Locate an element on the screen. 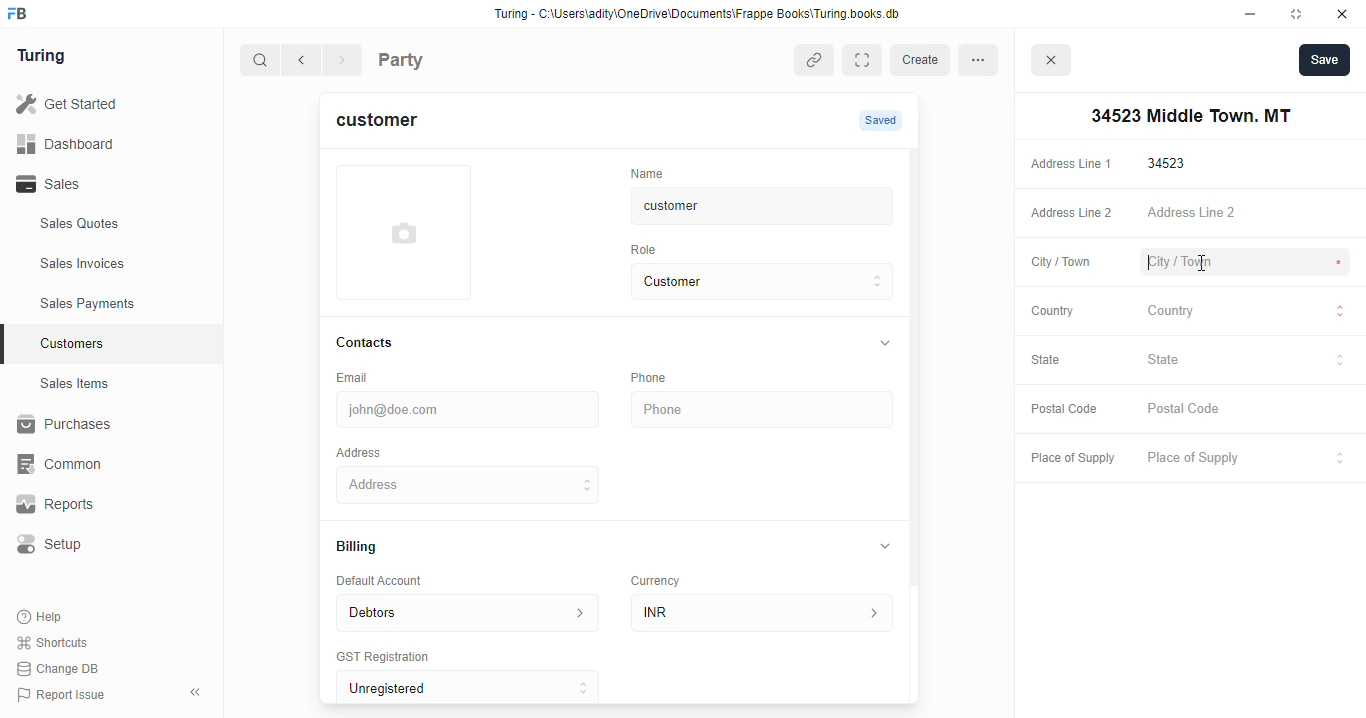 This screenshot has width=1366, height=718. 34523 Middle Town. MT is located at coordinates (1187, 116).